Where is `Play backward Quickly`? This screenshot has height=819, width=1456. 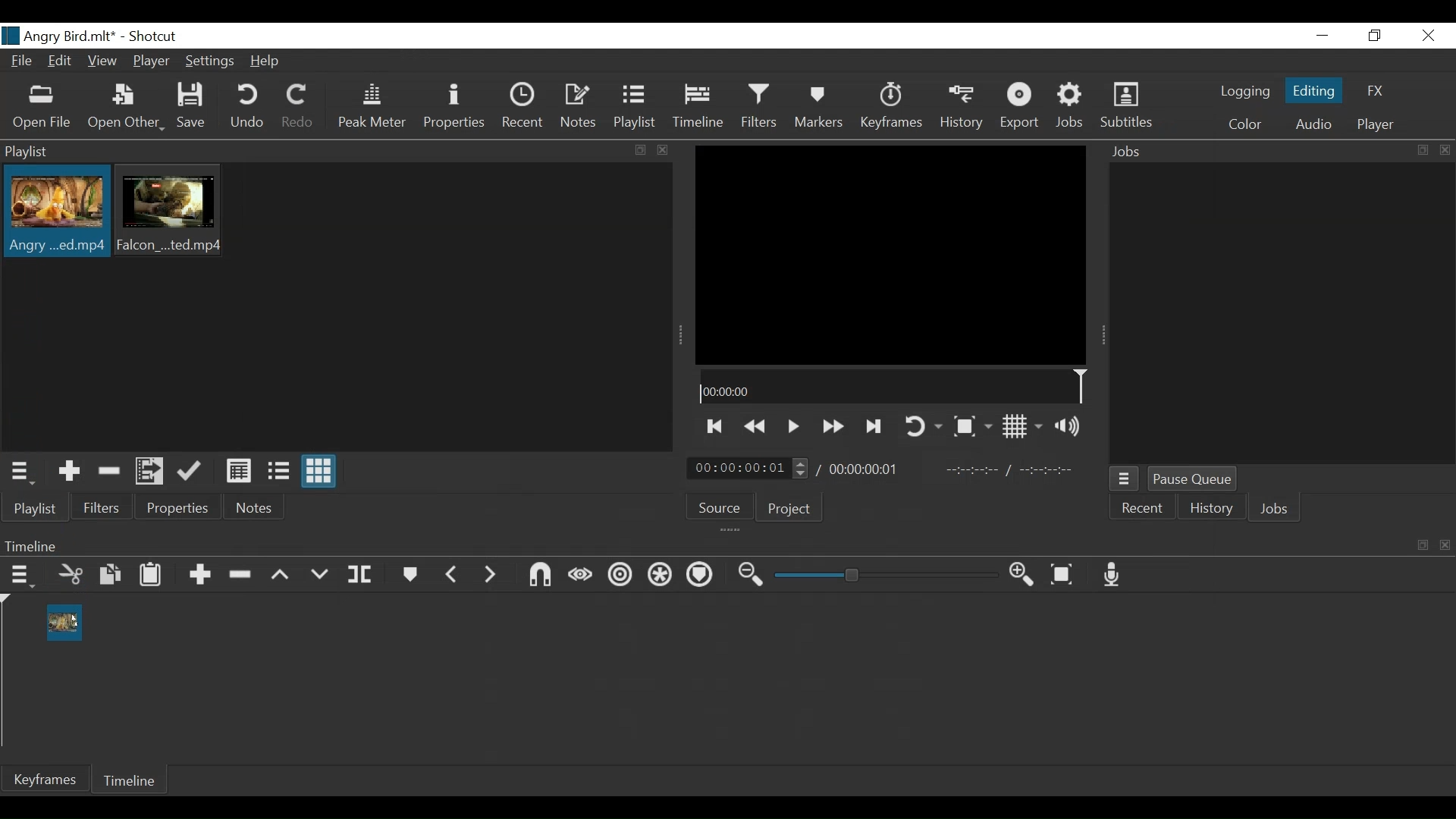
Play backward Quickly is located at coordinates (758, 425).